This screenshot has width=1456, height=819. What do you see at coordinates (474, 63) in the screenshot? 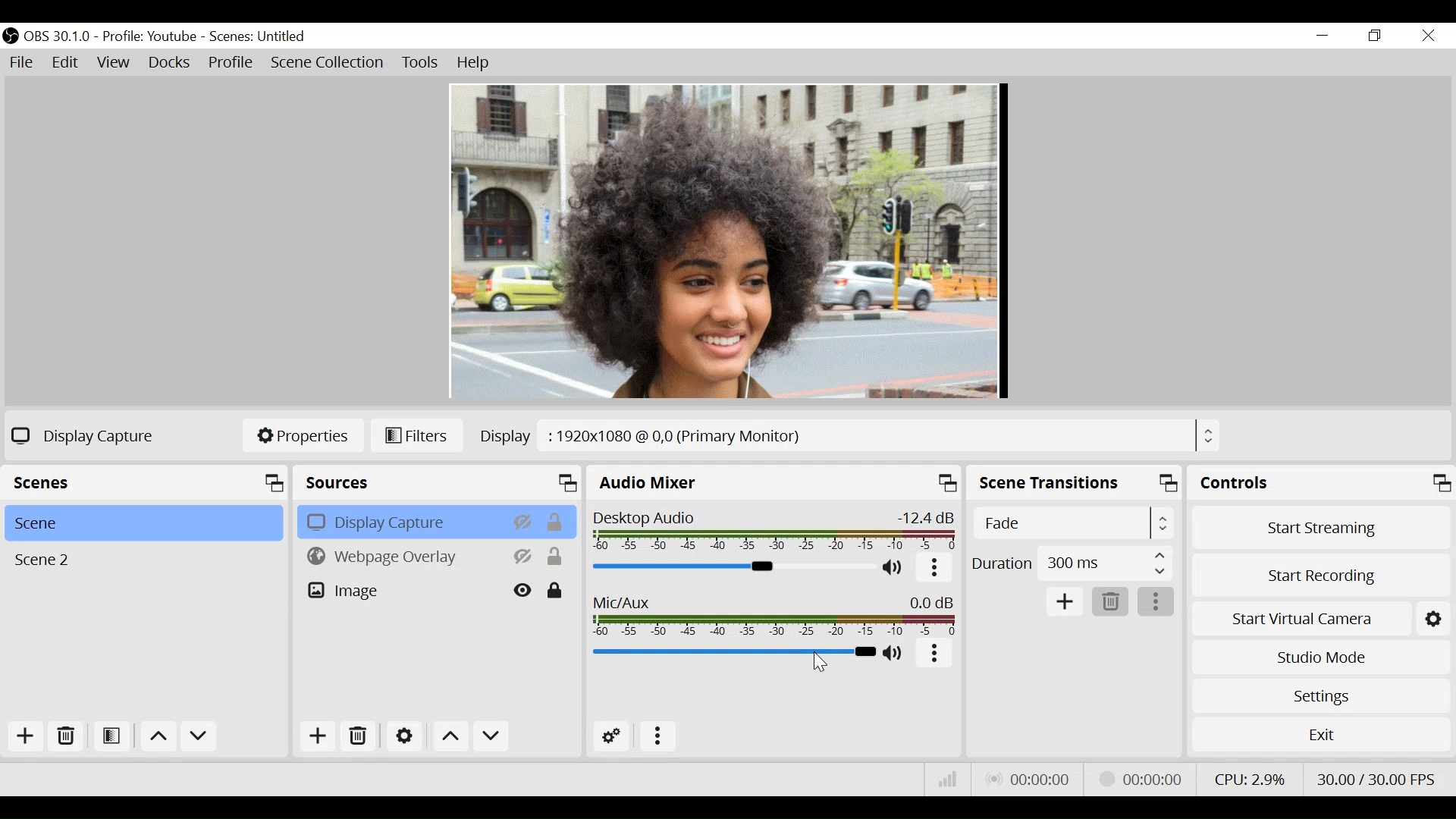
I see `Help` at bounding box center [474, 63].